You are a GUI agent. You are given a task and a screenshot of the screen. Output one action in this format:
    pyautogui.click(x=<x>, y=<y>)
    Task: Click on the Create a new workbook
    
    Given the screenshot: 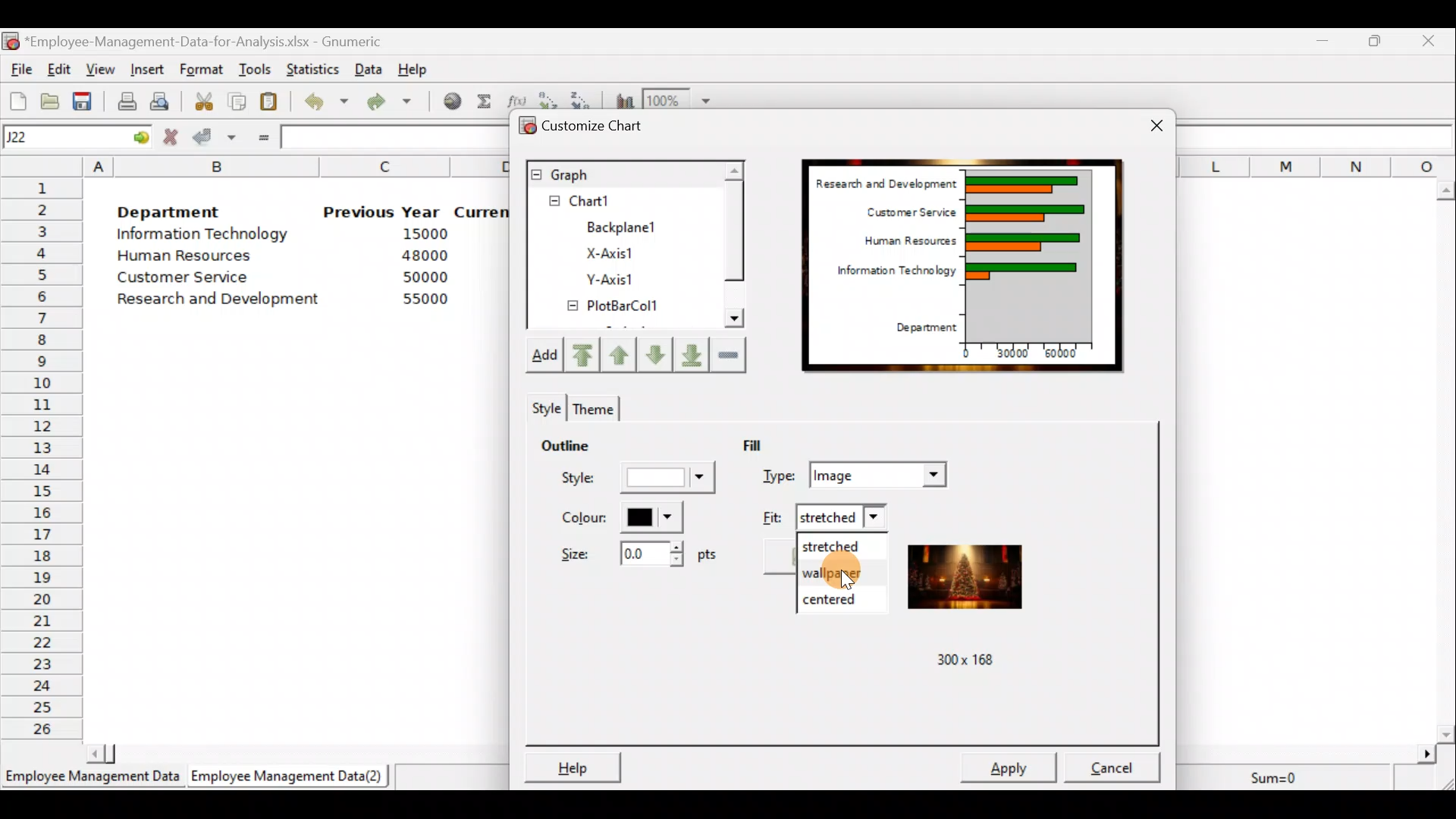 What is the action you would take?
    pyautogui.click(x=17, y=99)
    